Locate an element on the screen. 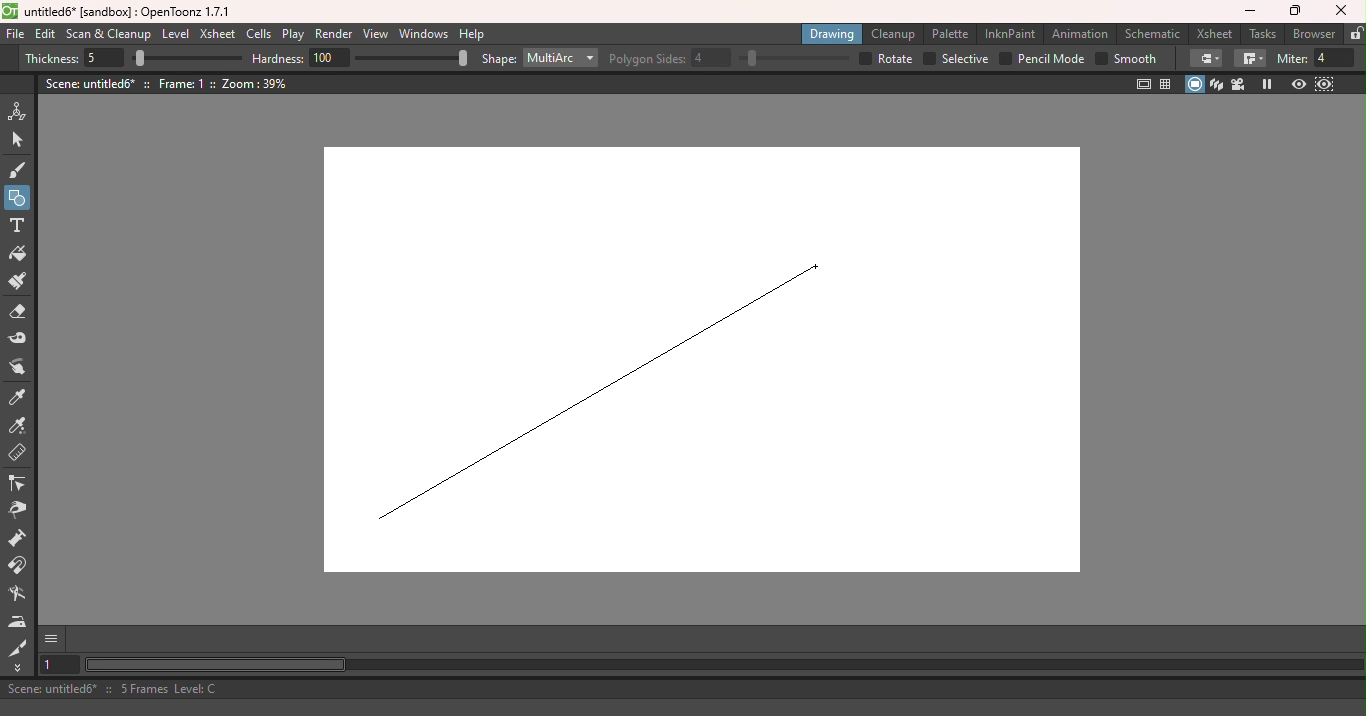 This screenshot has width=1366, height=716. Scene: untitled6* :: Frame: 1 :: Zoom: 39% is located at coordinates (167, 83).